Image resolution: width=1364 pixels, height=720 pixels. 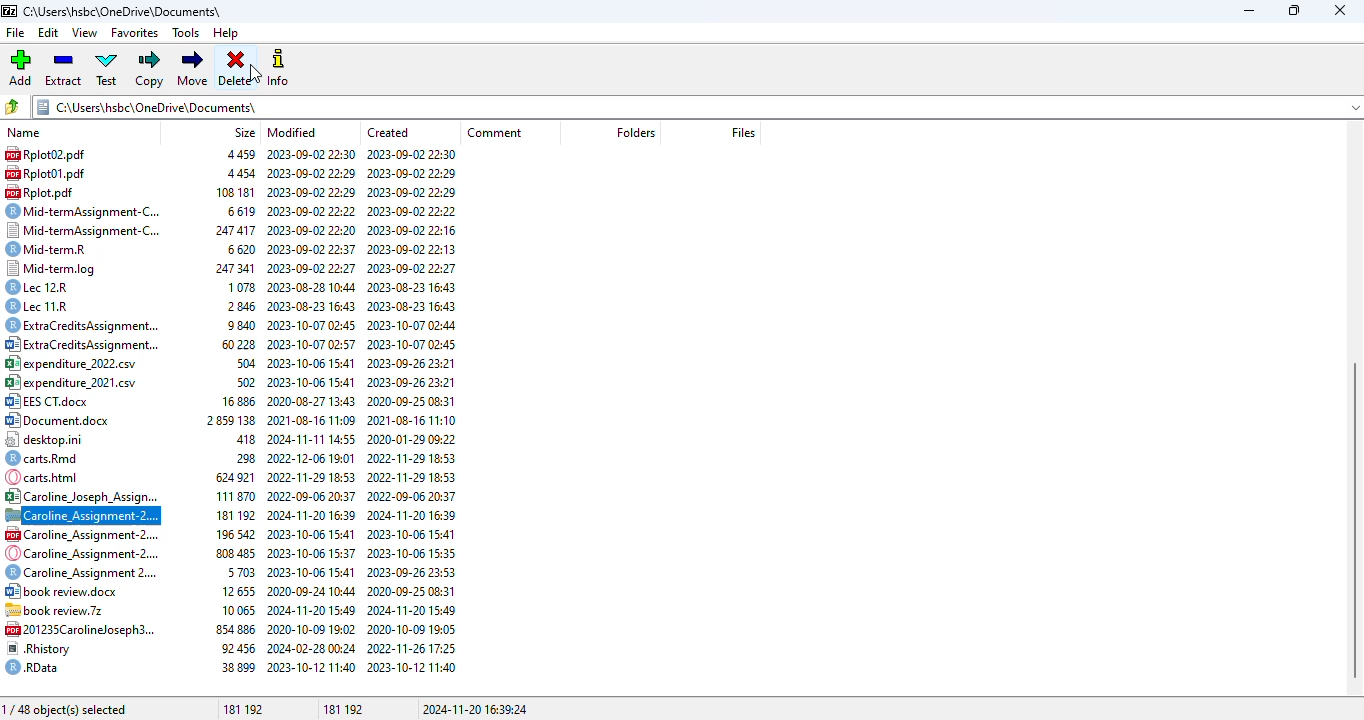 What do you see at coordinates (310, 154) in the screenshot?
I see `2023-09-02 22:50` at bounding box center [310, 154].